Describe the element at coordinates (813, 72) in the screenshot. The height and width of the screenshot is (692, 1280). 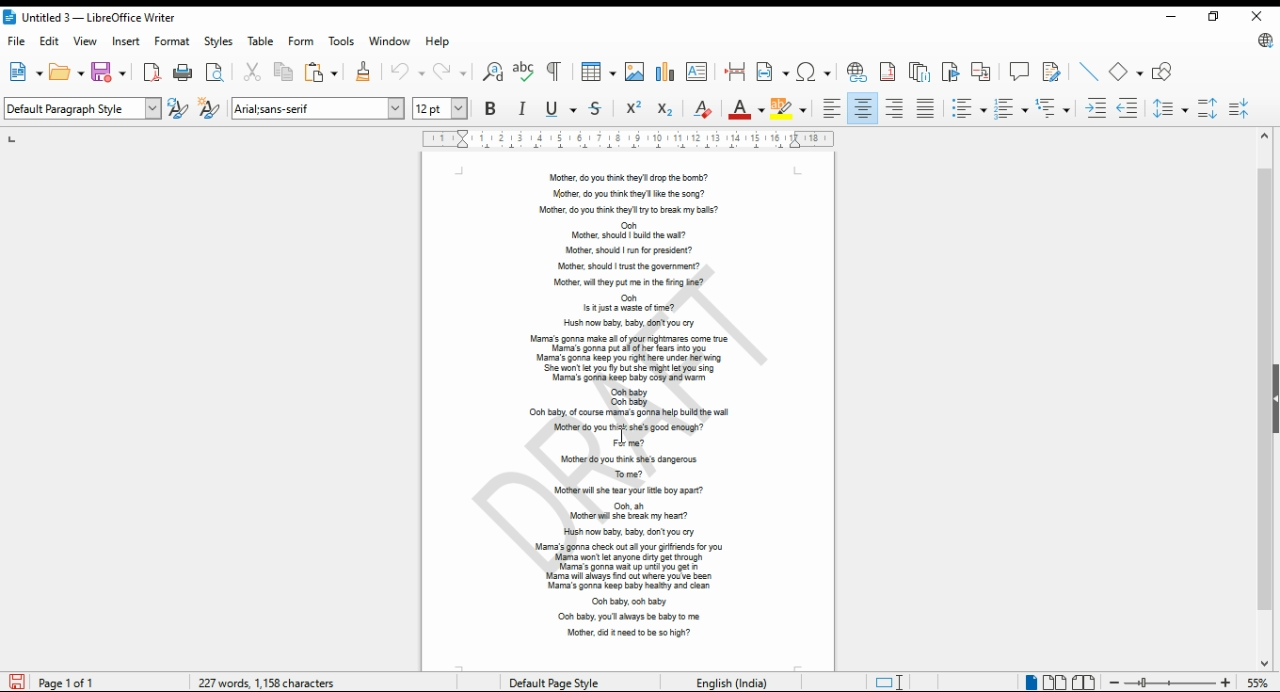
I see `insert special characters` at that location.